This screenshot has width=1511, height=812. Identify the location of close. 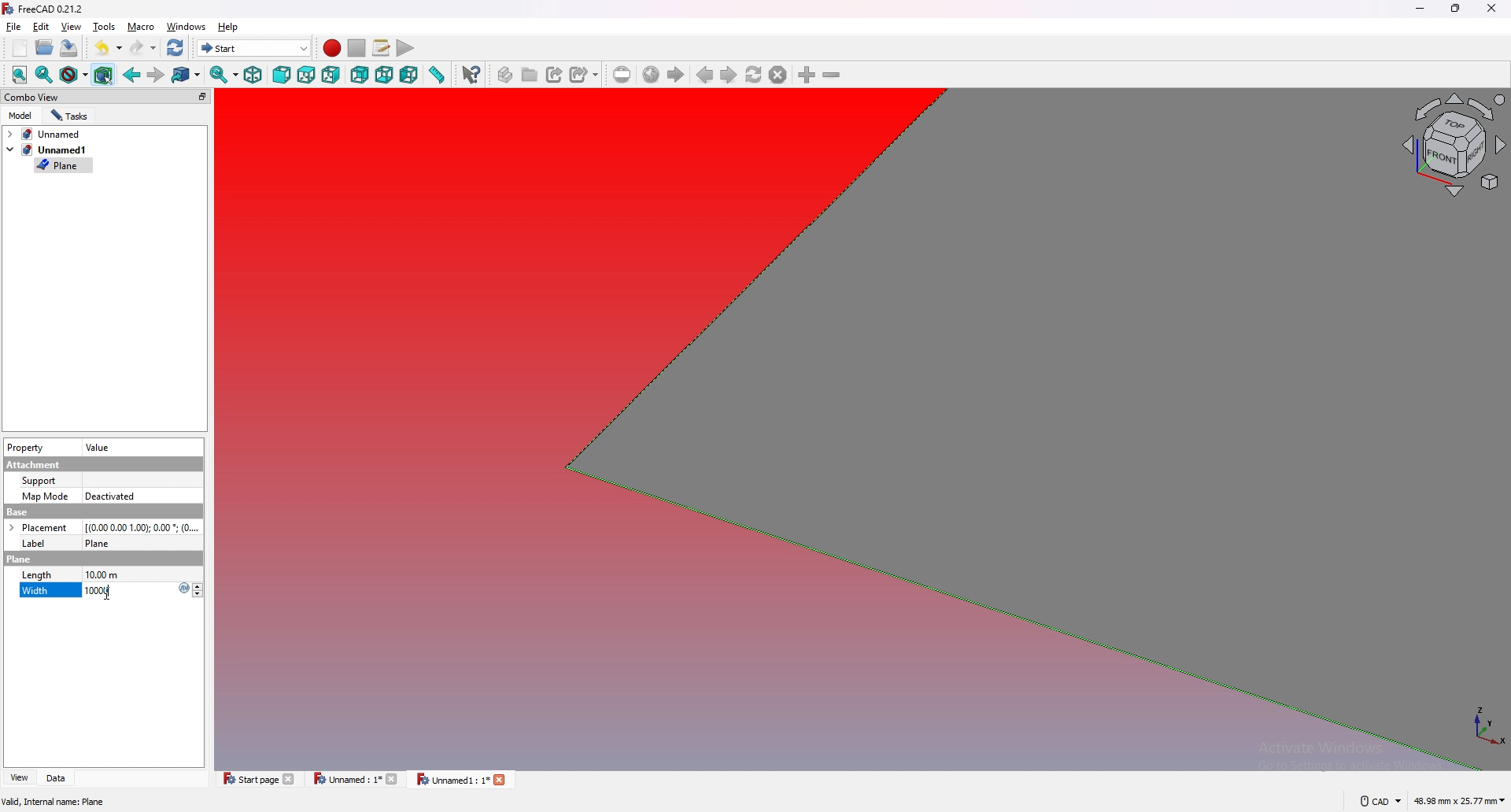
(1490, 9).